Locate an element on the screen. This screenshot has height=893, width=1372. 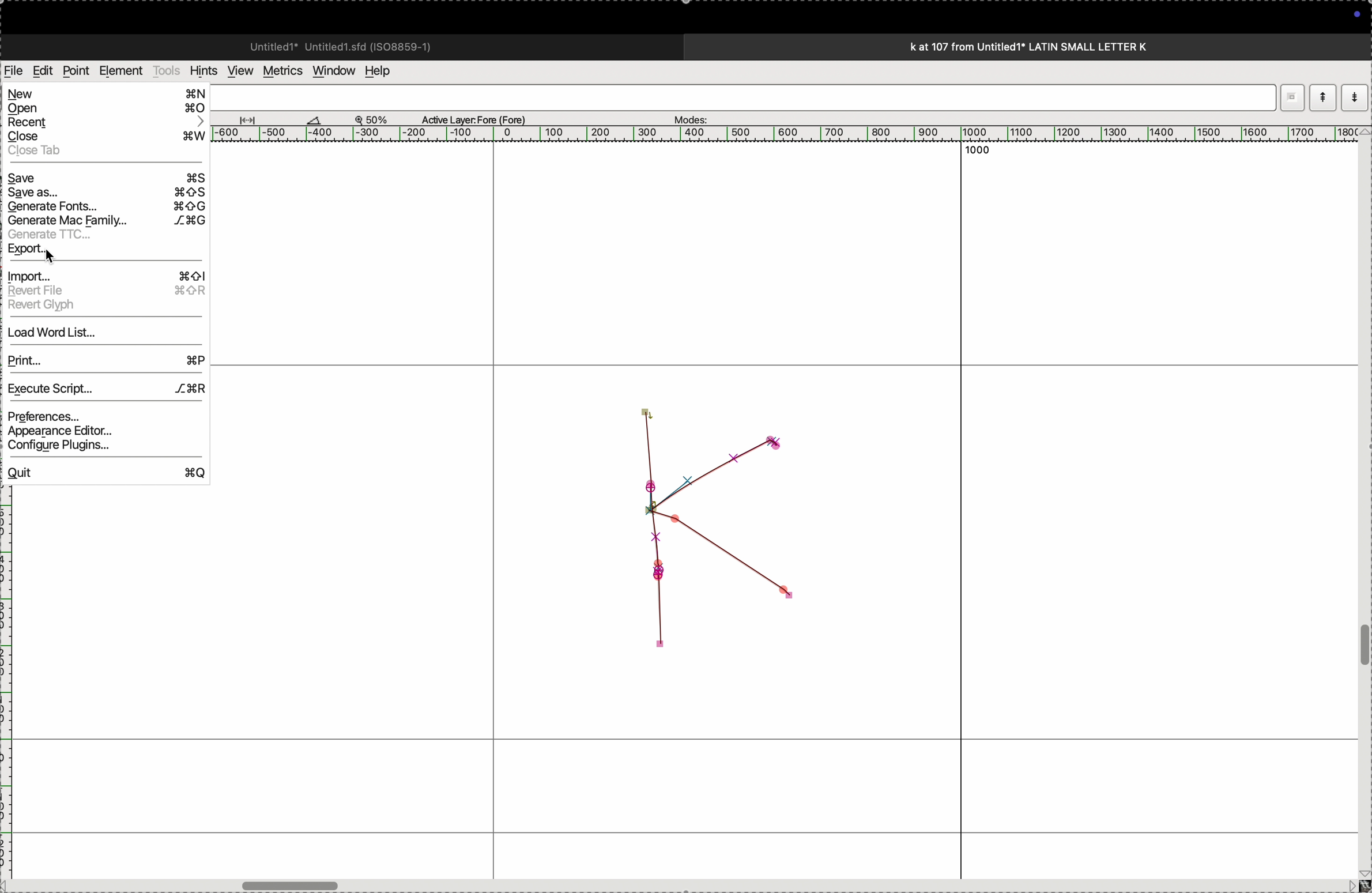
hints is located at coordinates (201, 70).